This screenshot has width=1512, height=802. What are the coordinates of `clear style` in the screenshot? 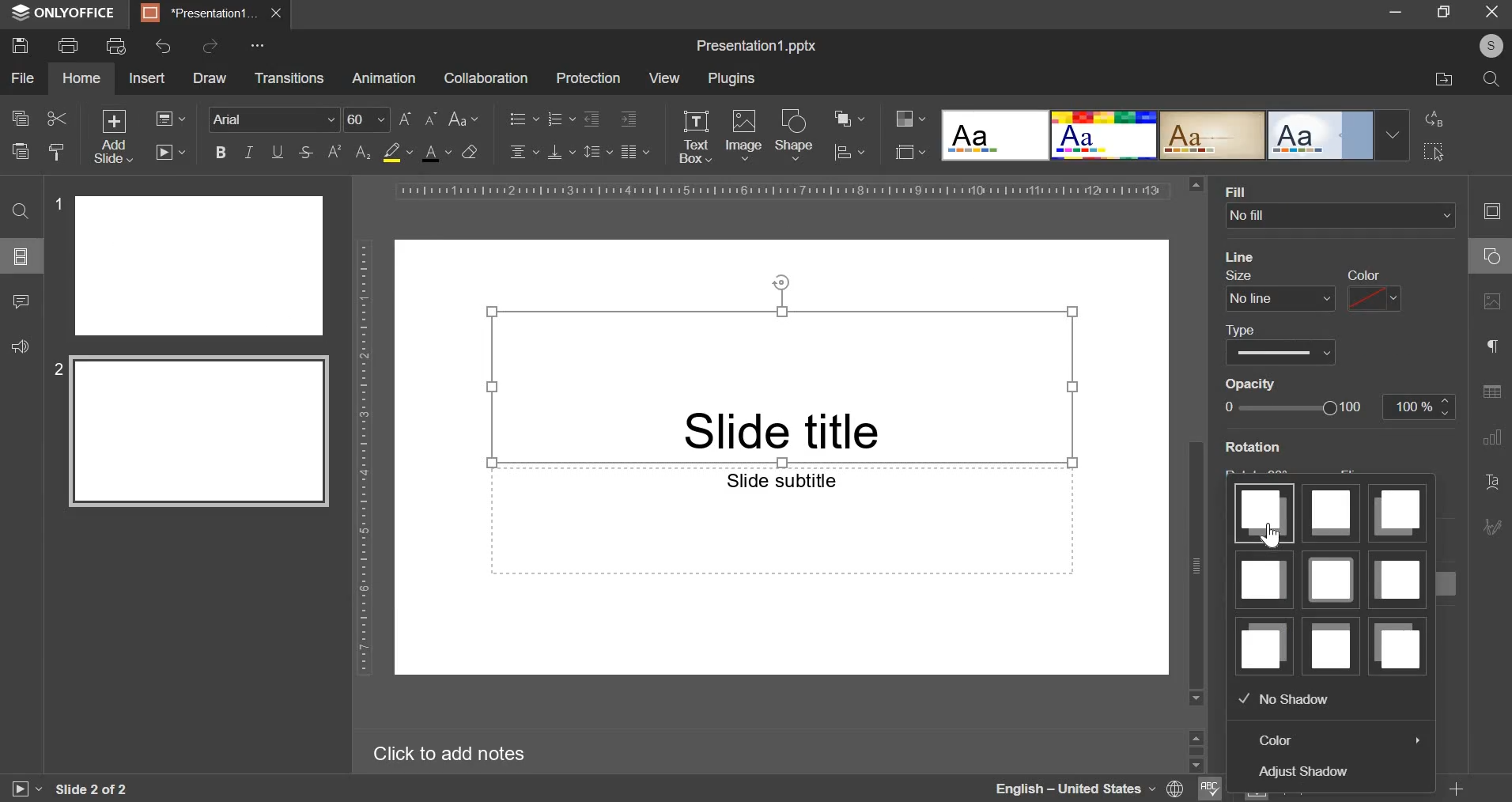 It's located at (57, 151).